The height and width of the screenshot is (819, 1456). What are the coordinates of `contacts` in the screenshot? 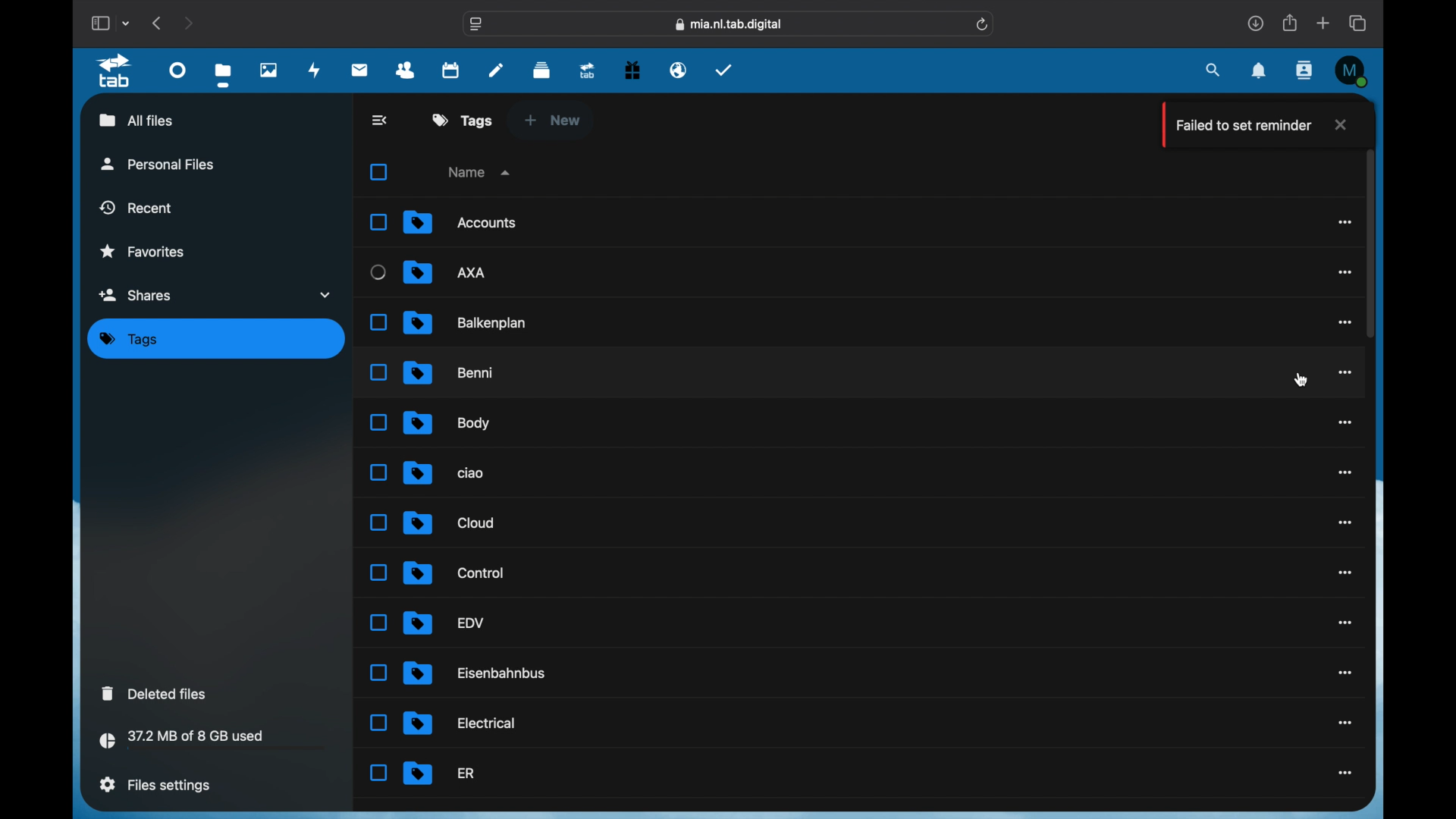 It's located at (1305, 71).